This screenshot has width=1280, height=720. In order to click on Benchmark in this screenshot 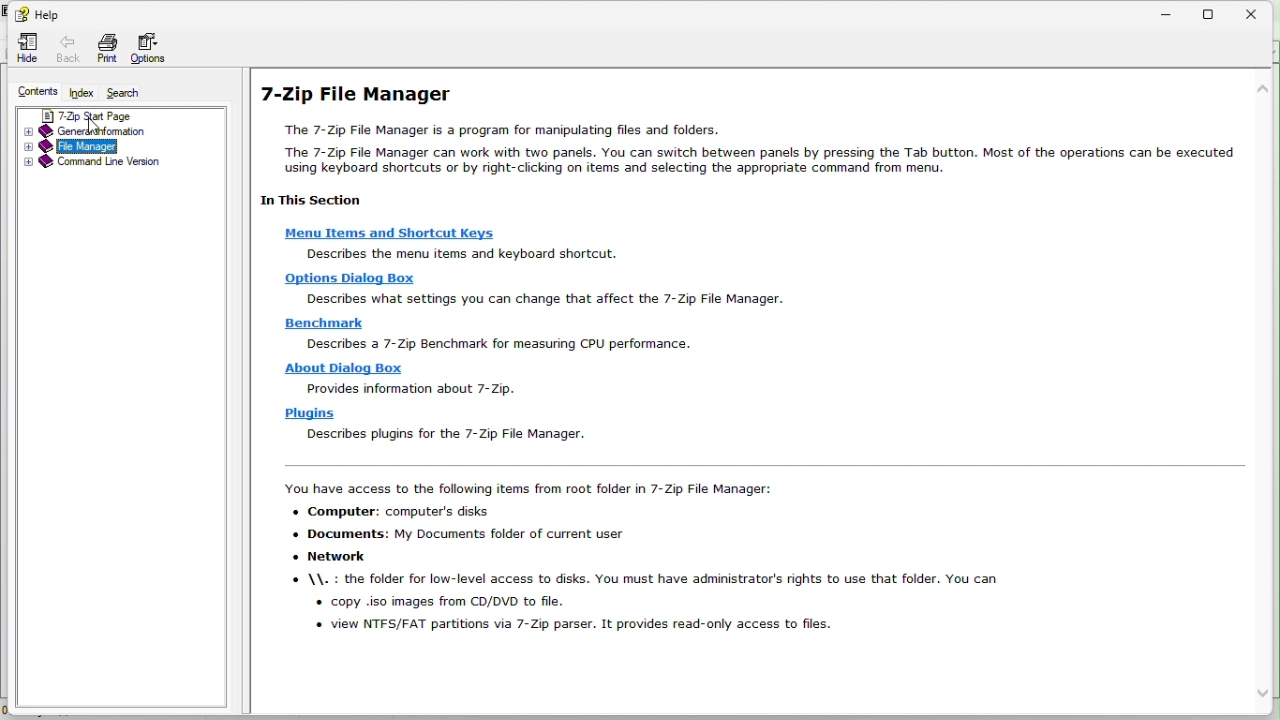, I will do `click(327, 324)`.